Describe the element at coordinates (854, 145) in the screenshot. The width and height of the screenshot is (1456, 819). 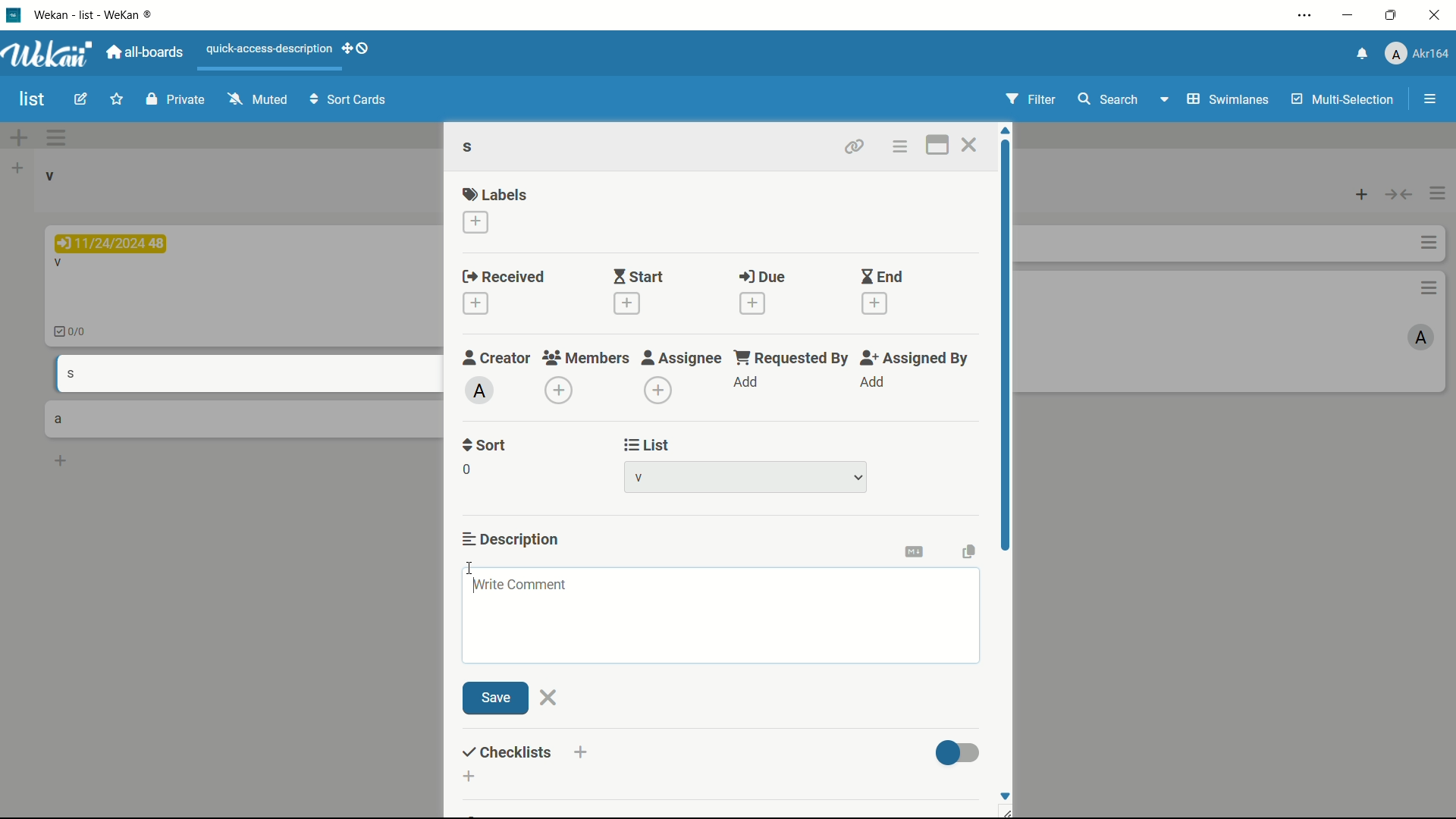
I see `copy card link to clipboard` at that location.